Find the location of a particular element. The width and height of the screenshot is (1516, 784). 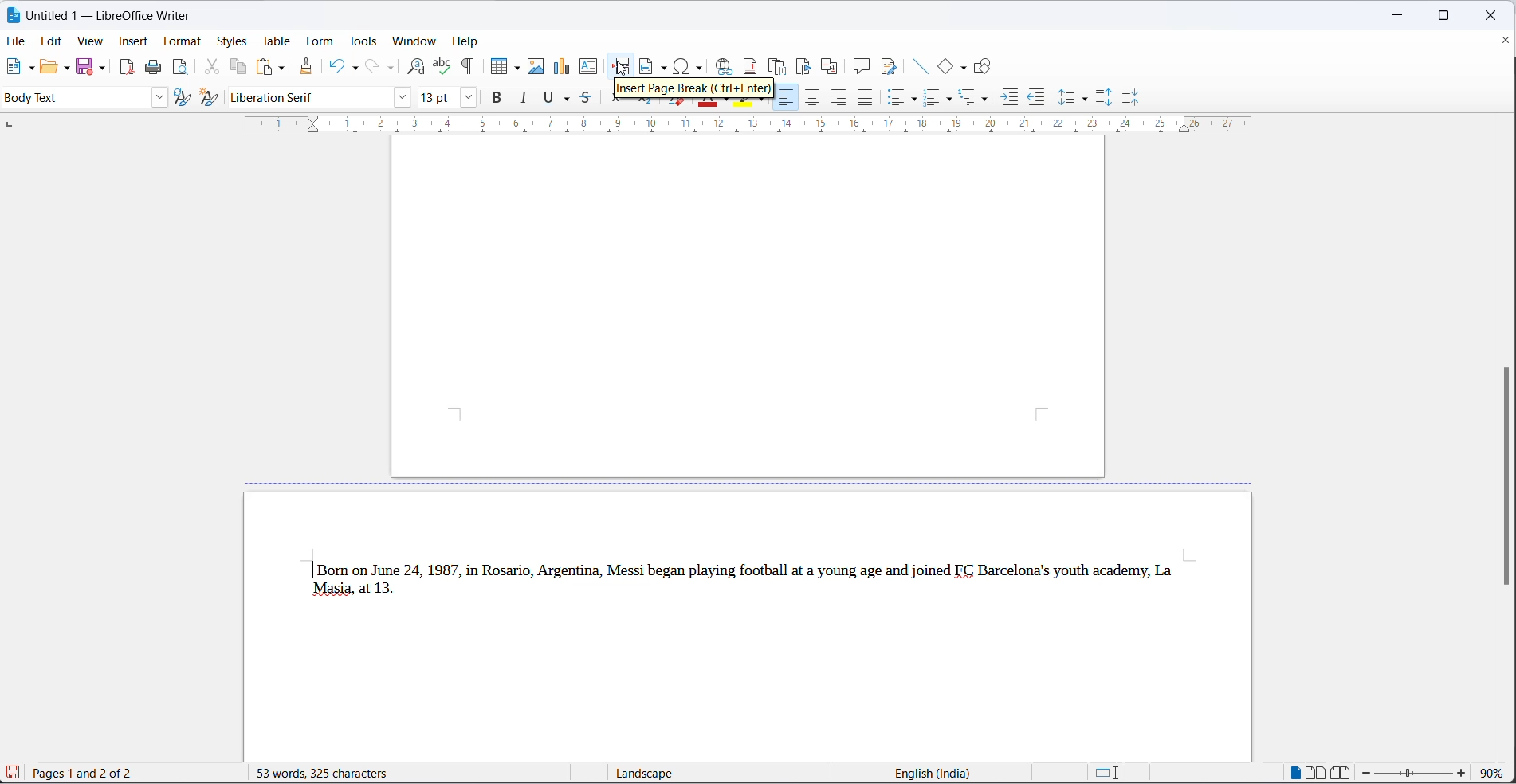

italic is located at coordinates (523, 98).